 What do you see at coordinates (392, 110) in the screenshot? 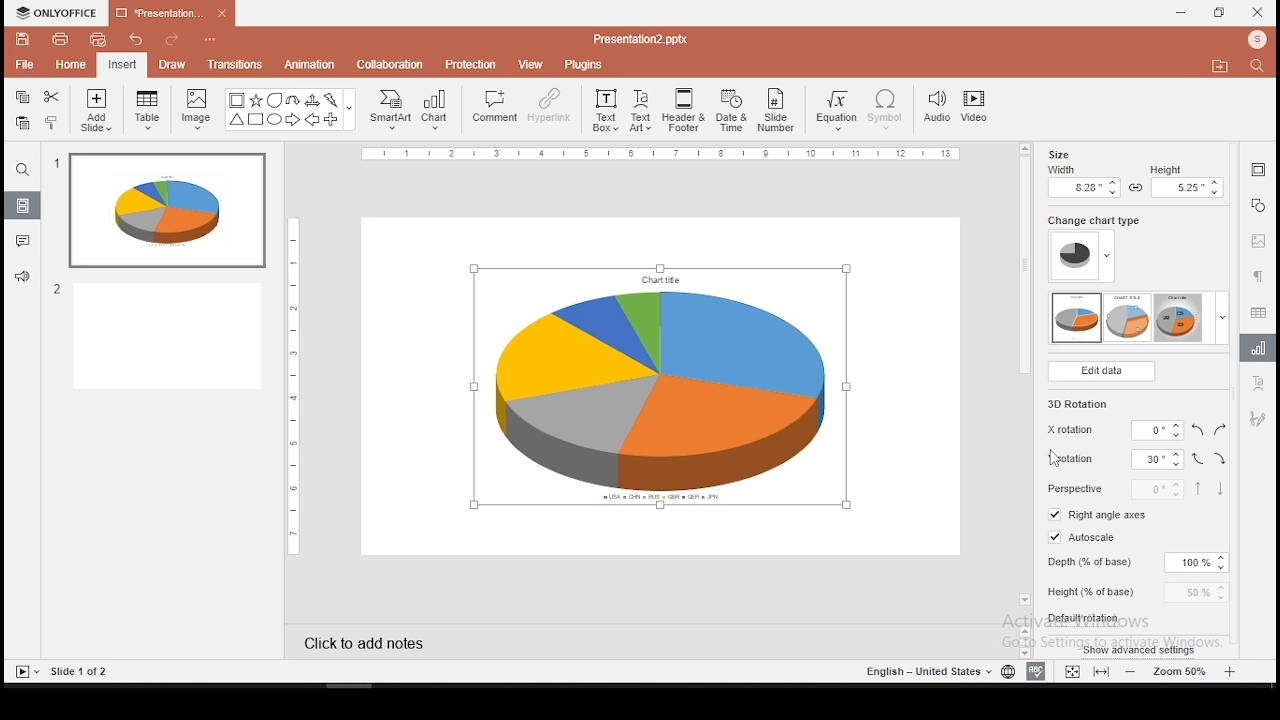
I see `smart art` at bounding box center [392, 110].